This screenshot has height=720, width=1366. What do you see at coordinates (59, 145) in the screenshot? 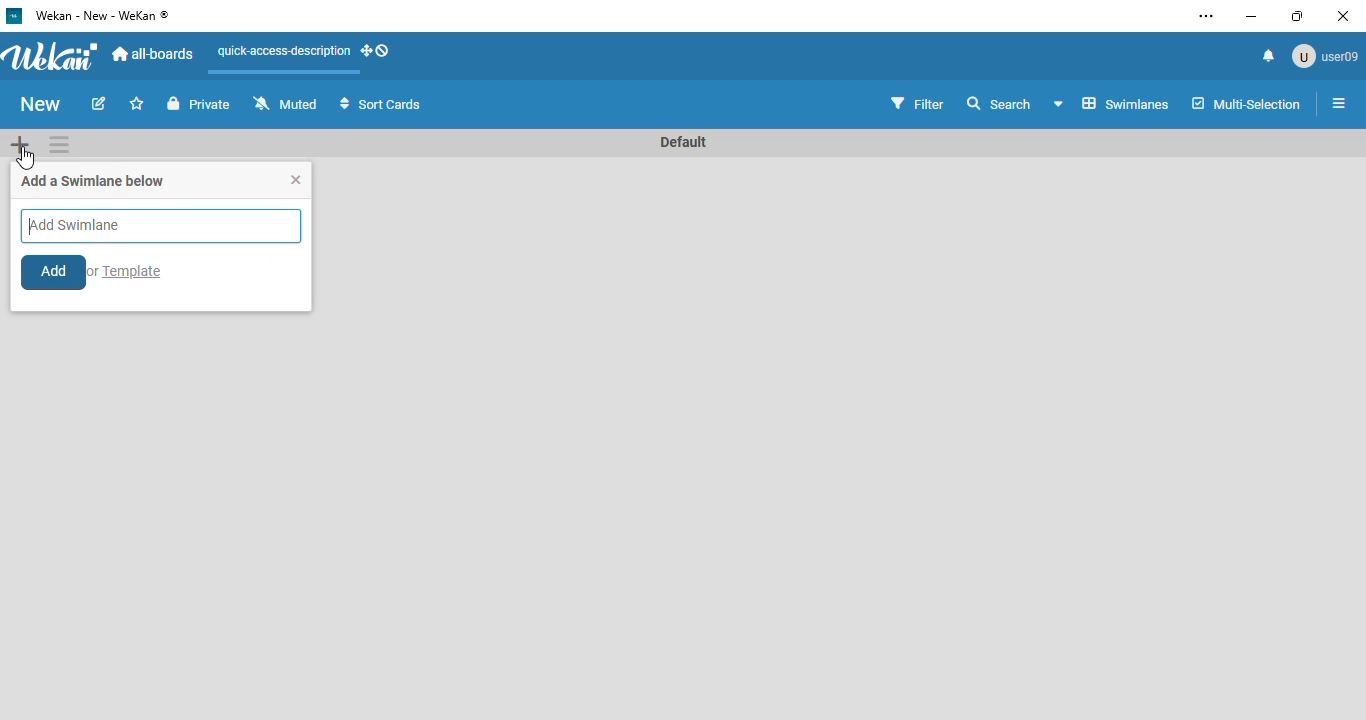
I see `swimlane actions` at bounding box center [59, 145].